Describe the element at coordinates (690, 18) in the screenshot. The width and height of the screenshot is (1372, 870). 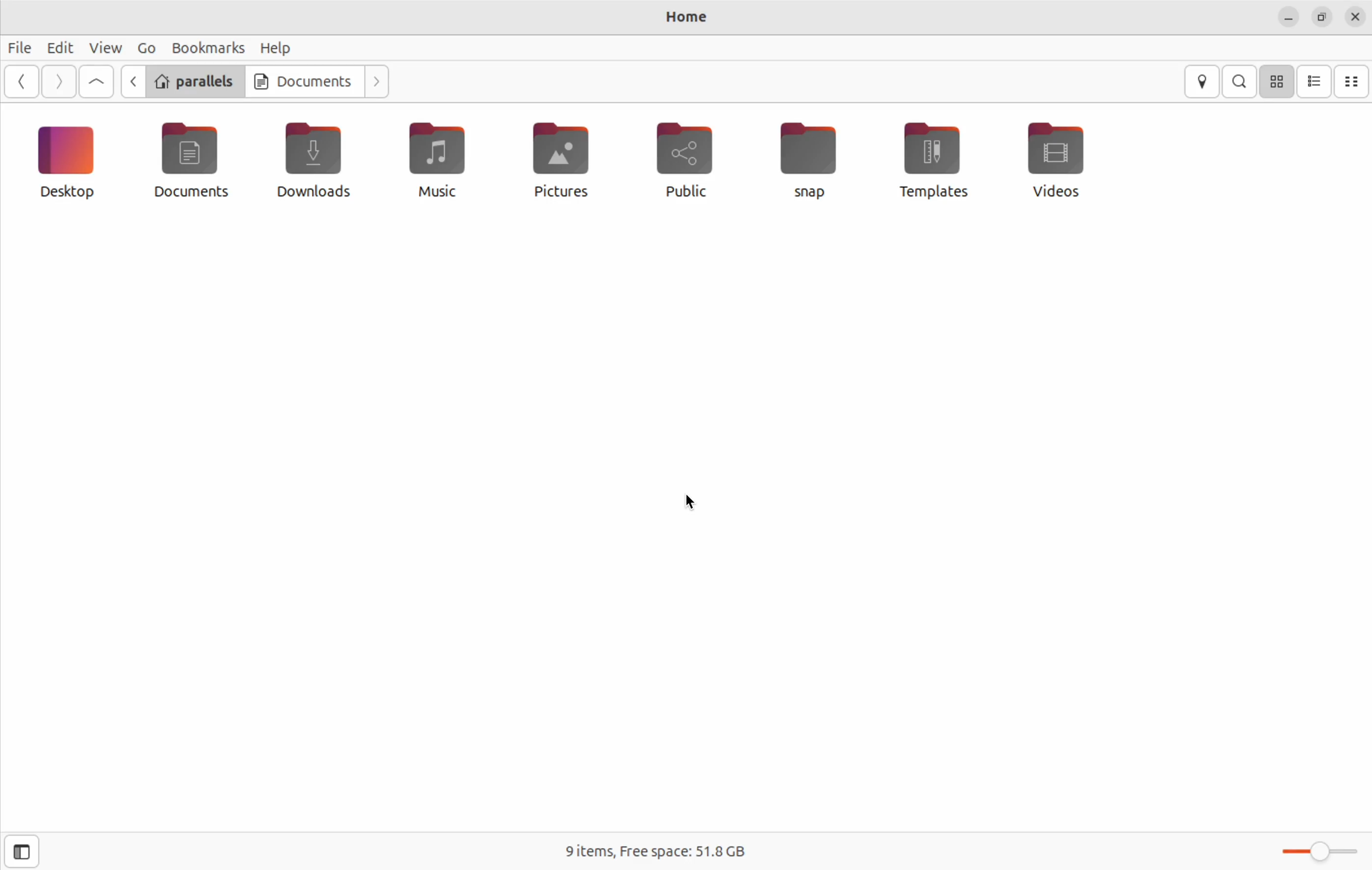
I see `Home` at that location.